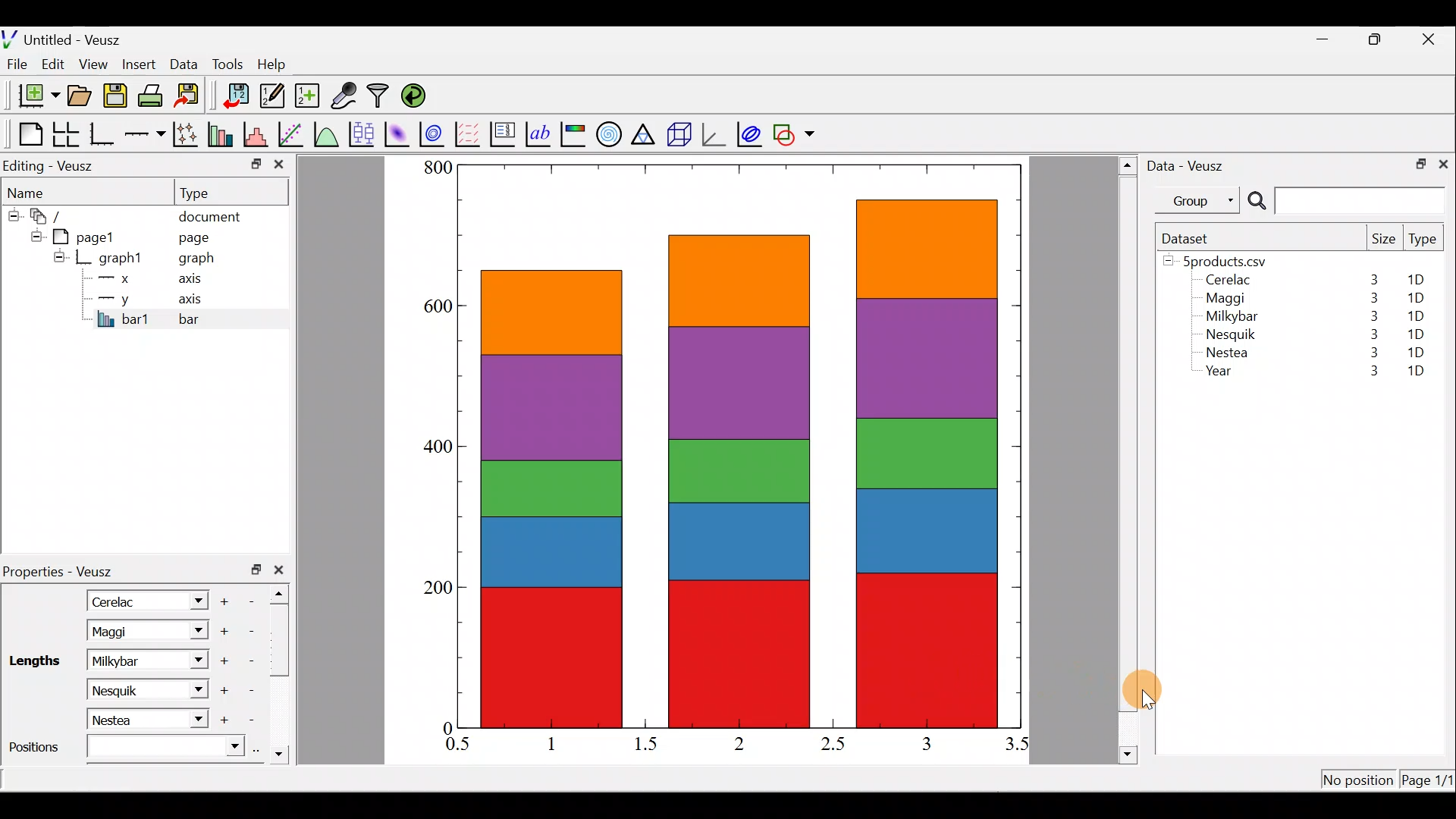 Image resolution: width=1456 pixels, height=819 pixels. I want to click on 0, so click(445, 727).